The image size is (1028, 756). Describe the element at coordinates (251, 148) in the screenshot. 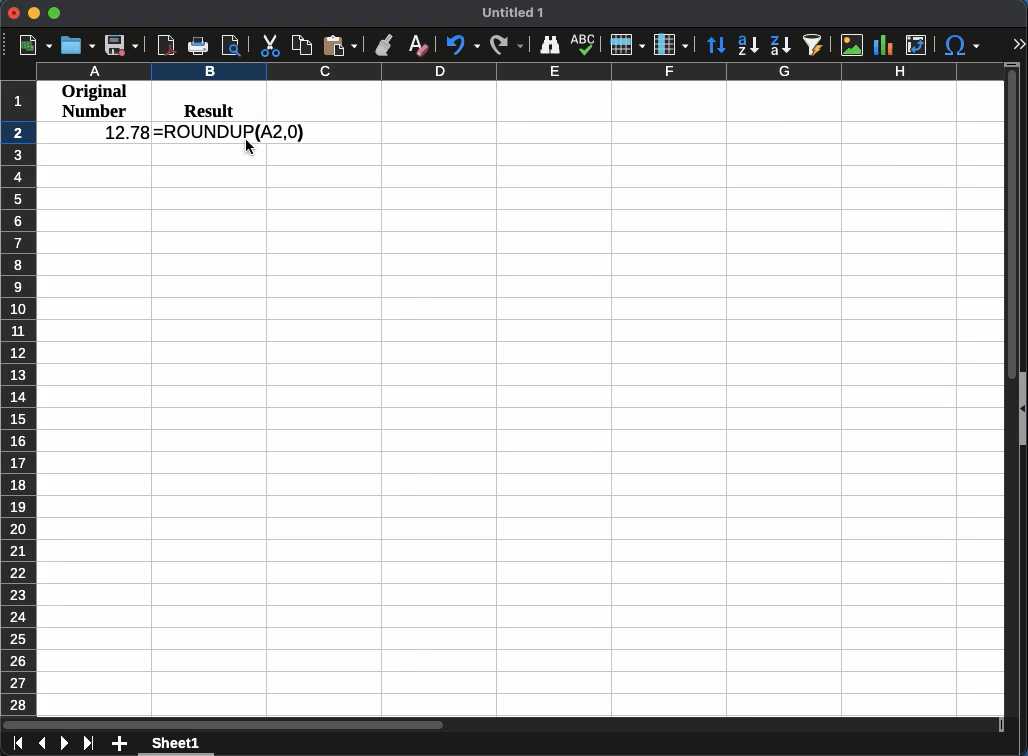

I see `cursor` at that location.